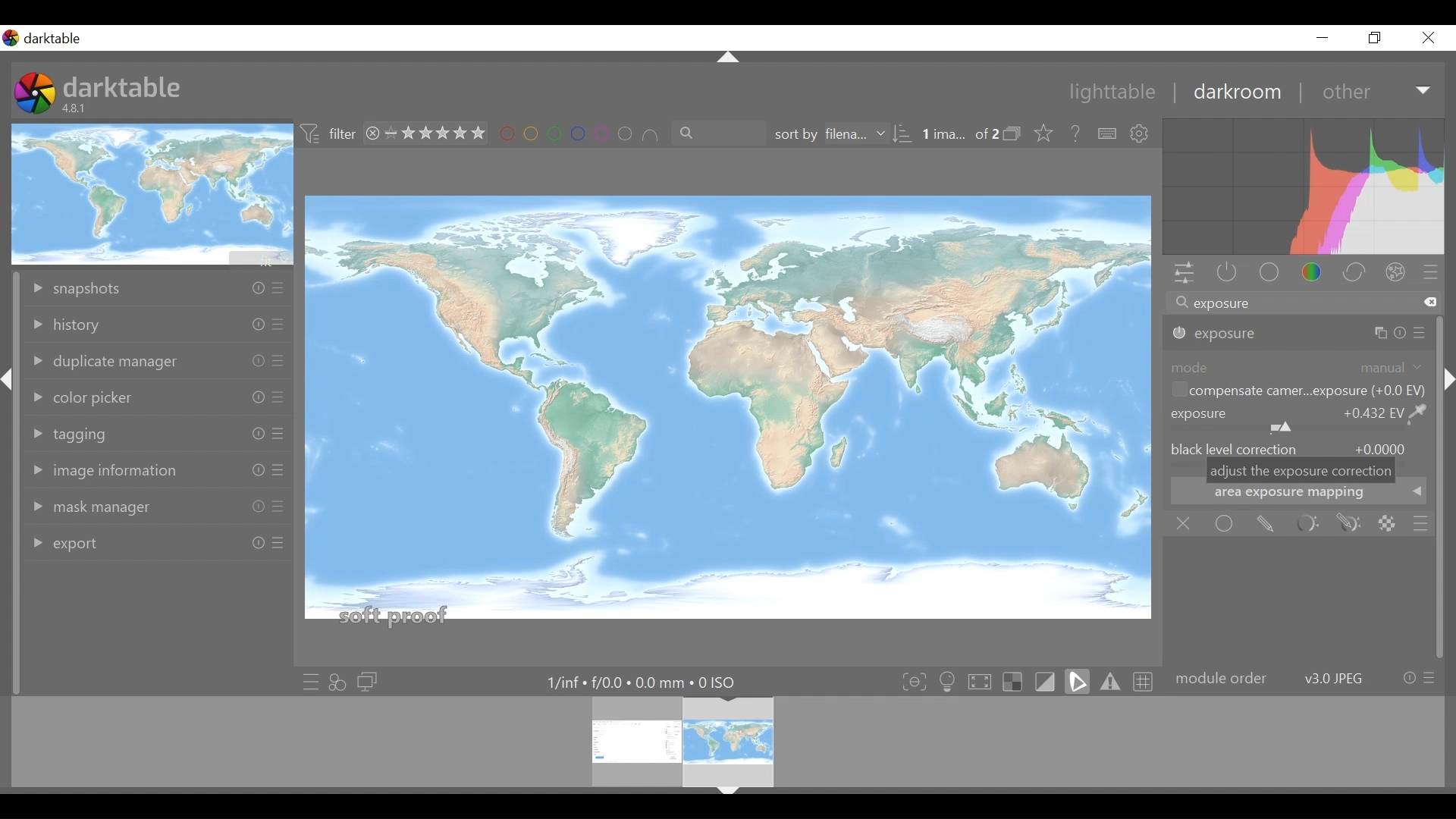  I want to click on show global preferences, so click(1141, 134).